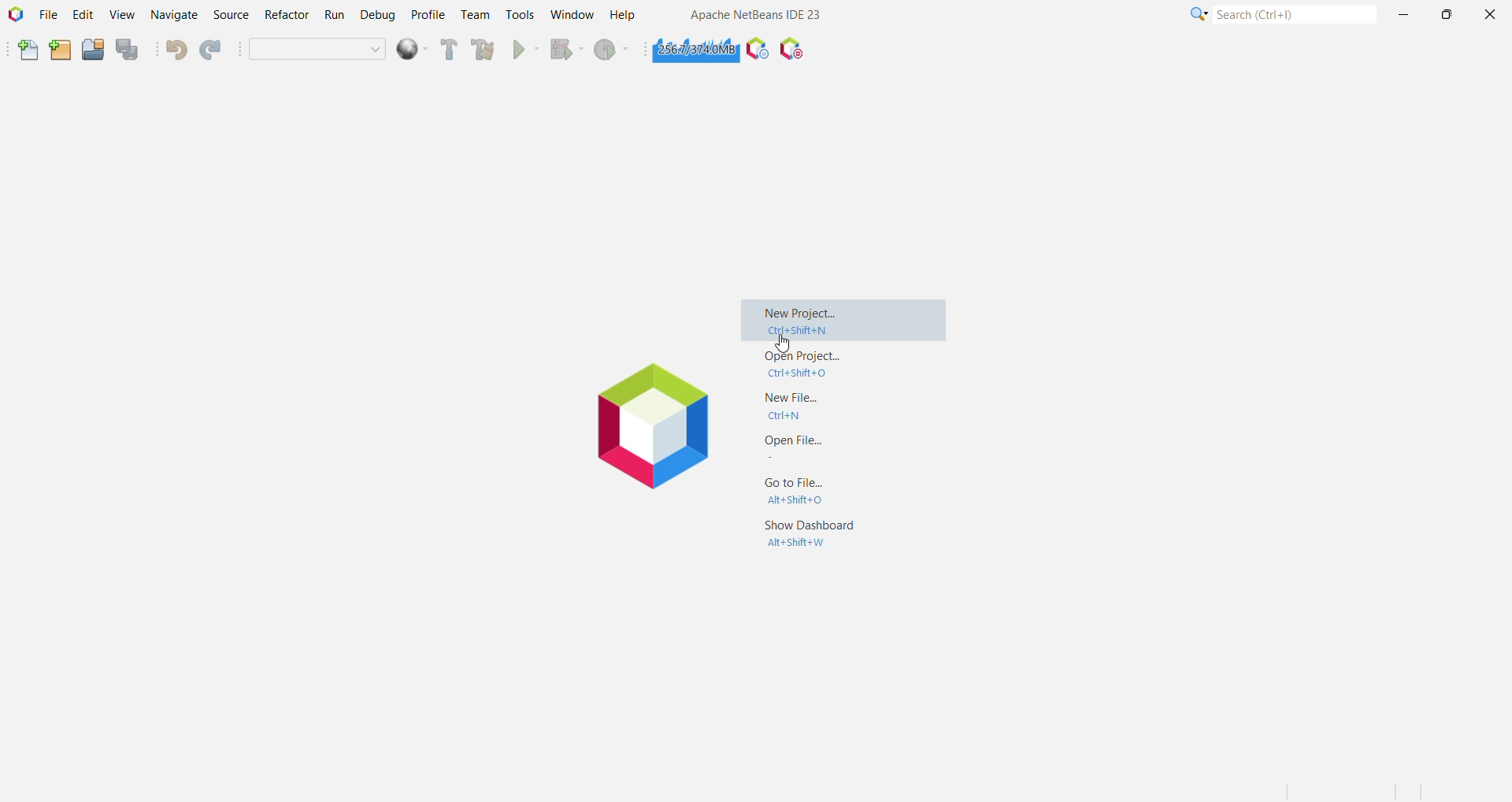  Describe the element at coordinates (483, 50) in the screenshot. I see `Clean and Build Project` at that location.